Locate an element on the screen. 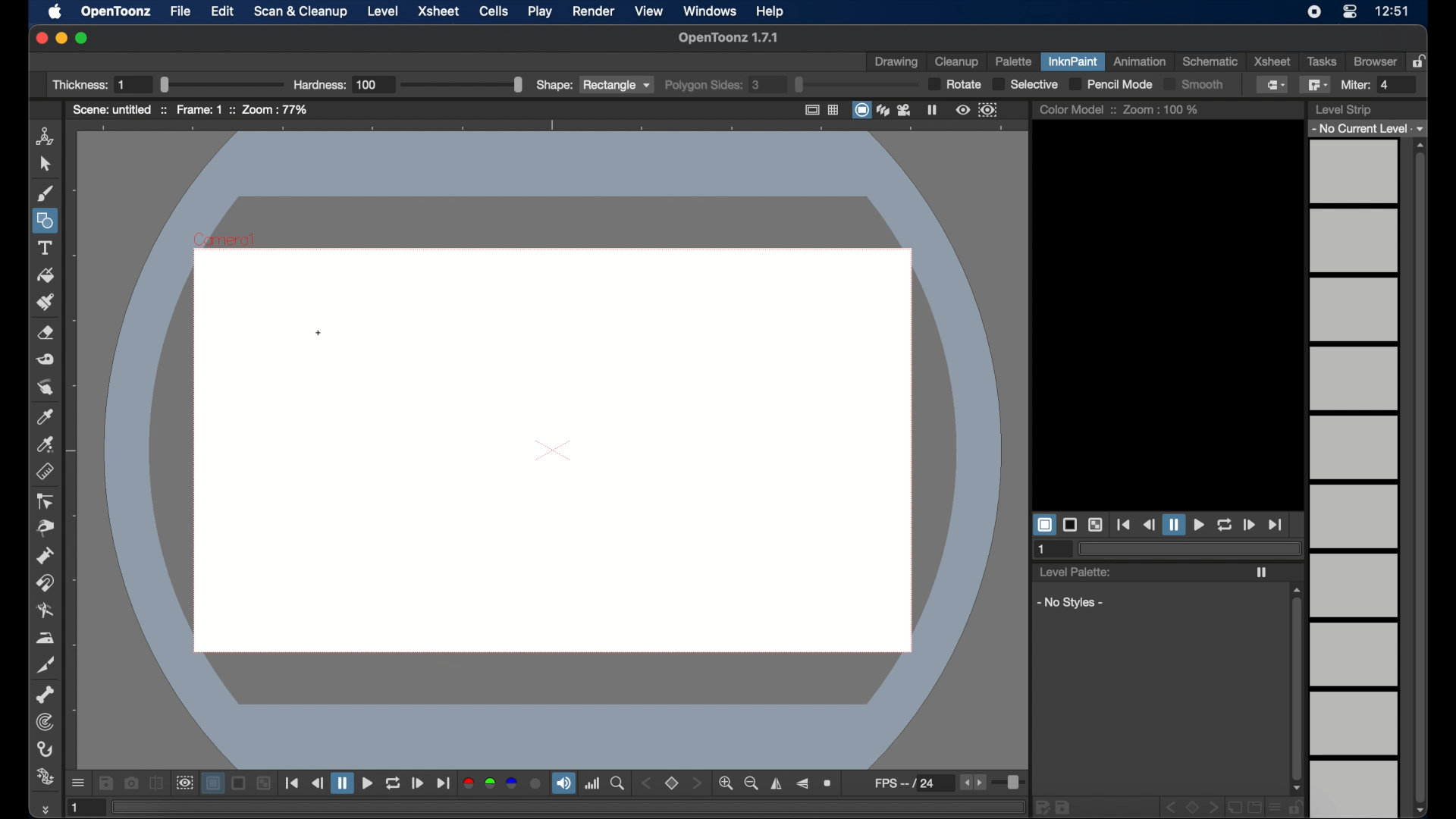 This screenshot has width=1456, height=819. forward is located at coordinates (1248, 524).